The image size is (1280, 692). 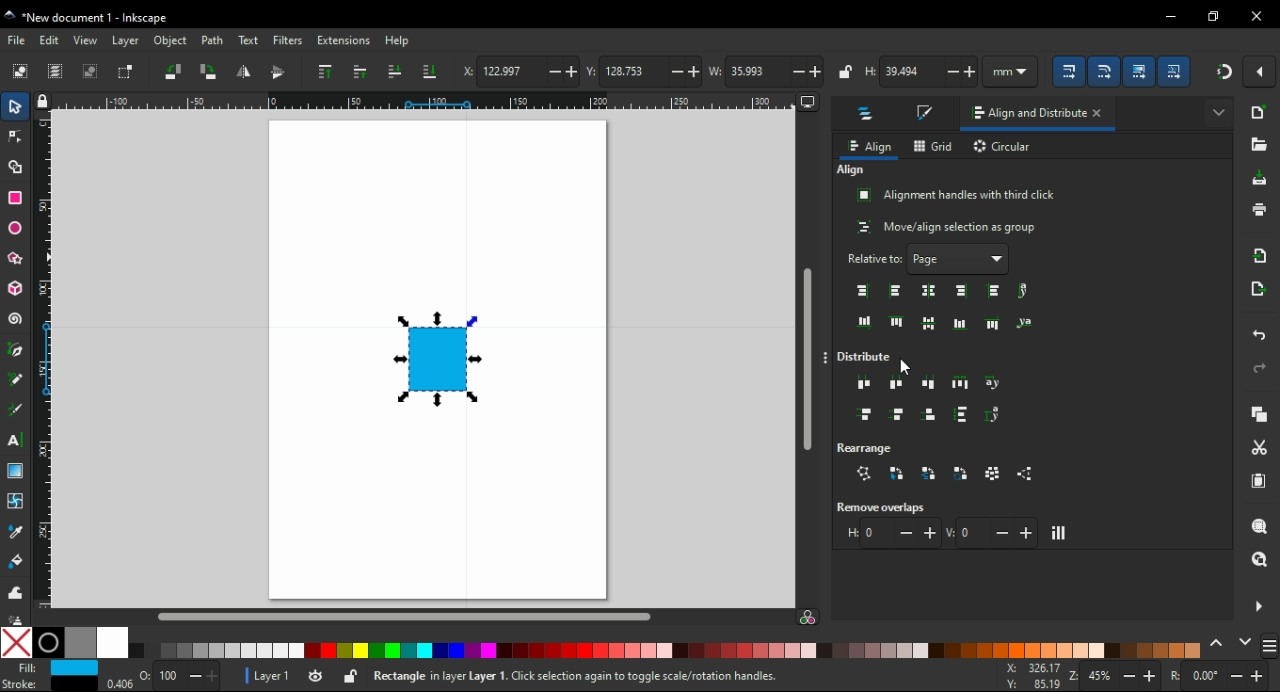 I want to click on open export, so click(x=1259, y=289).